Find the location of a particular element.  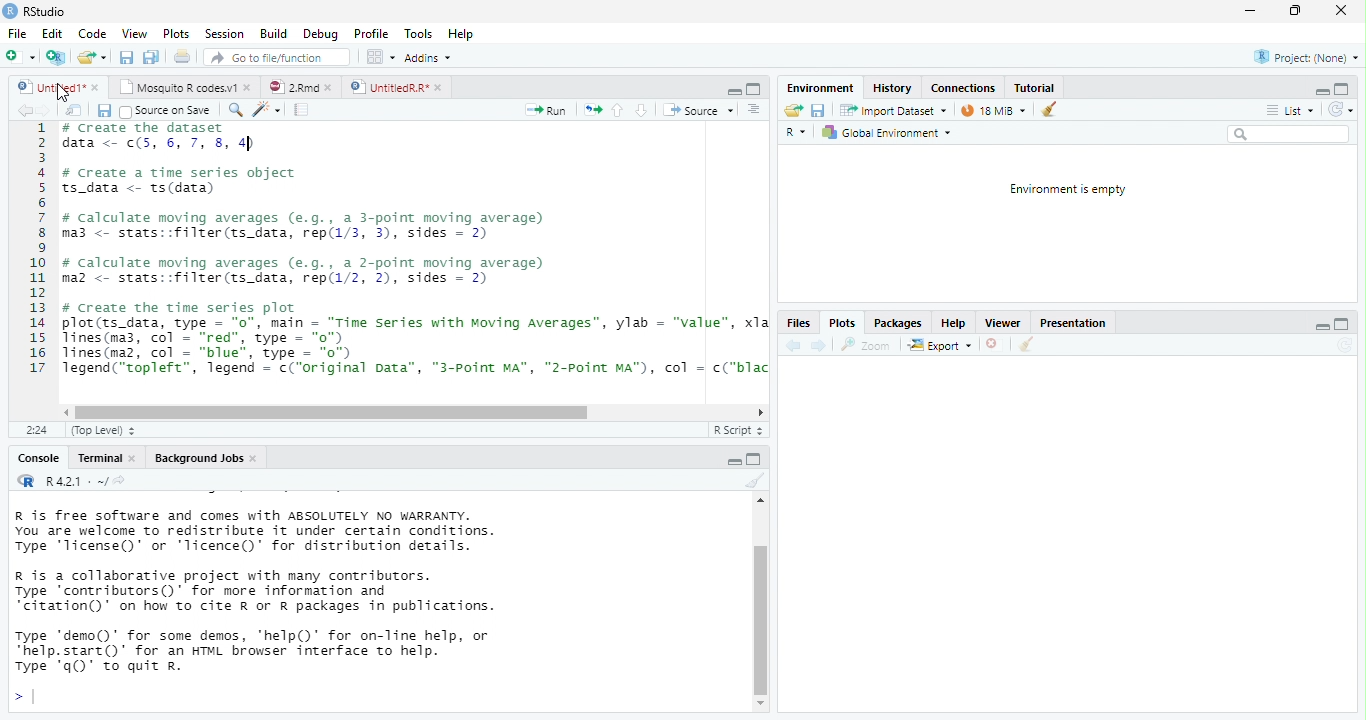

back is located at coordinates (24, 110).